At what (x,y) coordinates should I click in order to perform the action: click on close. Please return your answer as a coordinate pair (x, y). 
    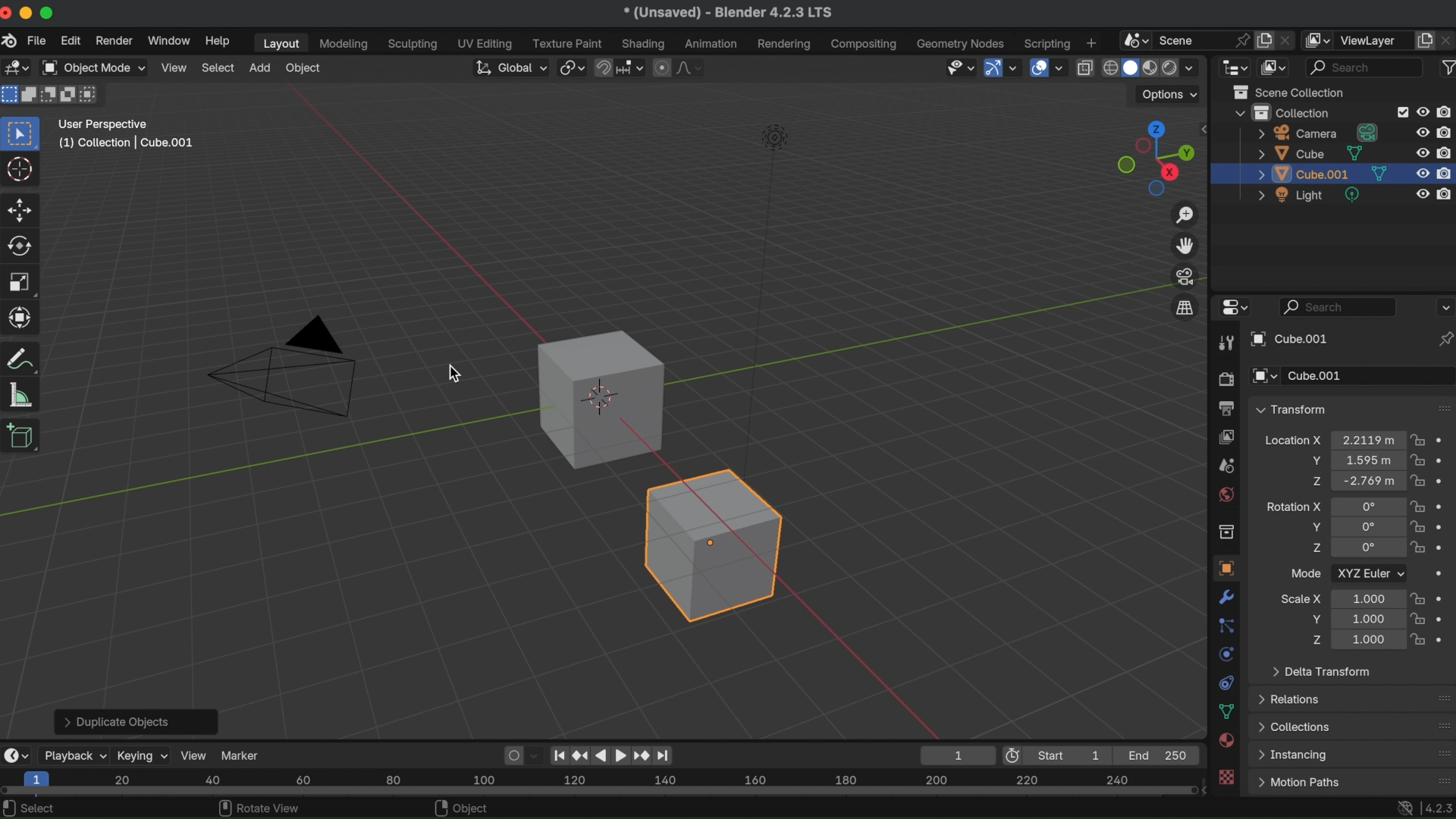
    Looking at the image, I should click on (9, 14).